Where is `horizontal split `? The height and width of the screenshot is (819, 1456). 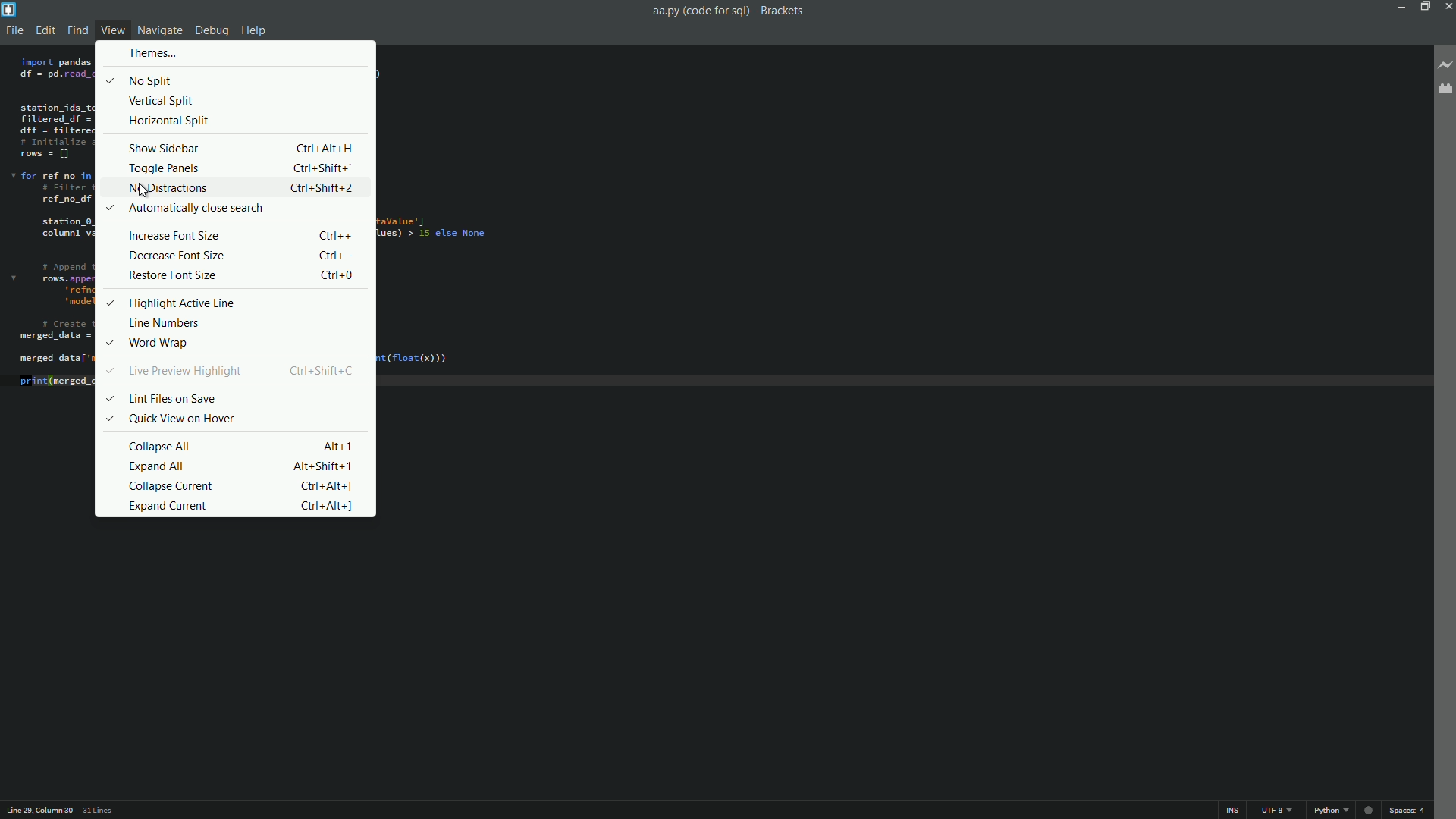
horizontal split  is located at coordinates (237, 119).